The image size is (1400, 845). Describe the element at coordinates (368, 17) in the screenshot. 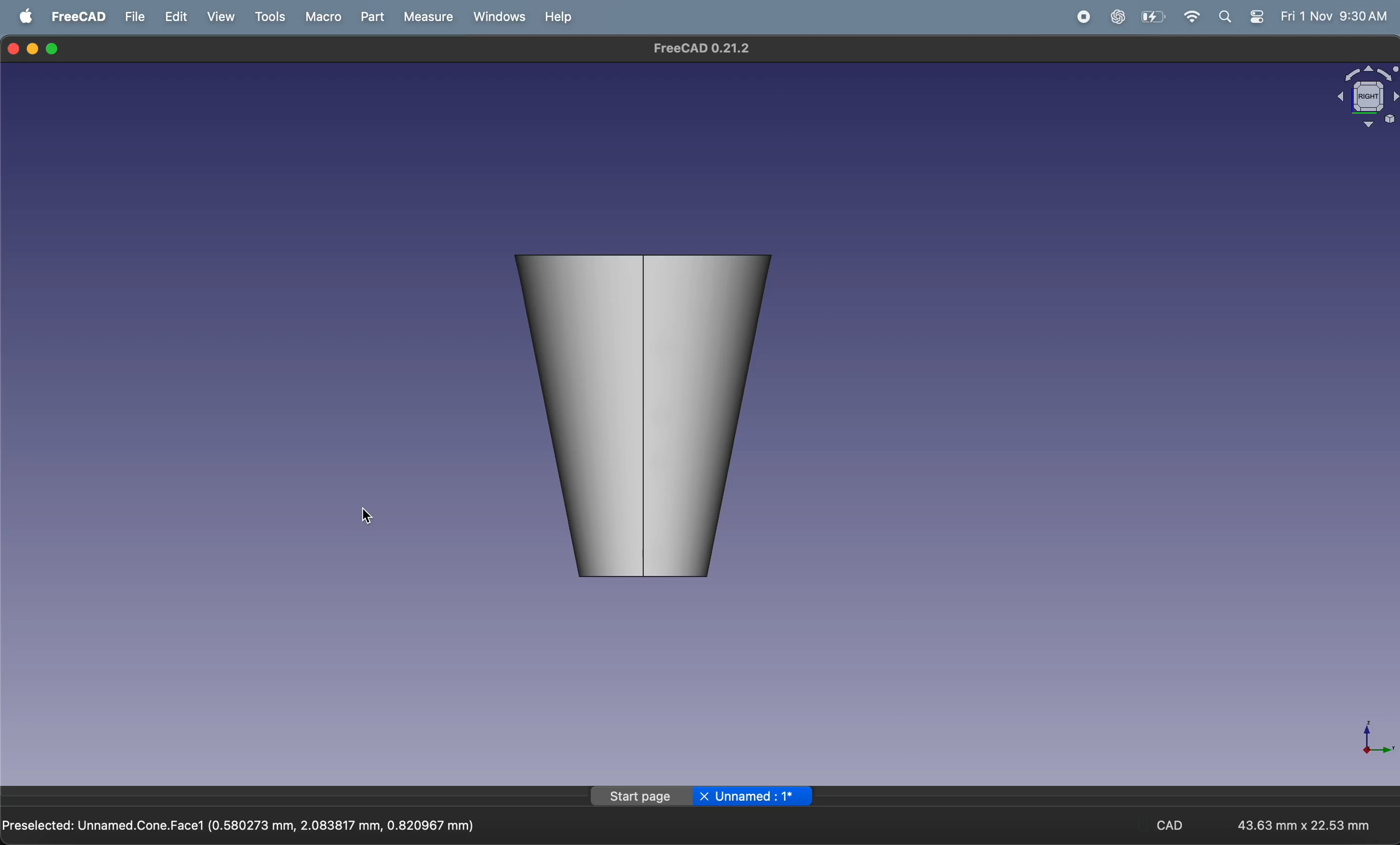

I see `part` at that location.